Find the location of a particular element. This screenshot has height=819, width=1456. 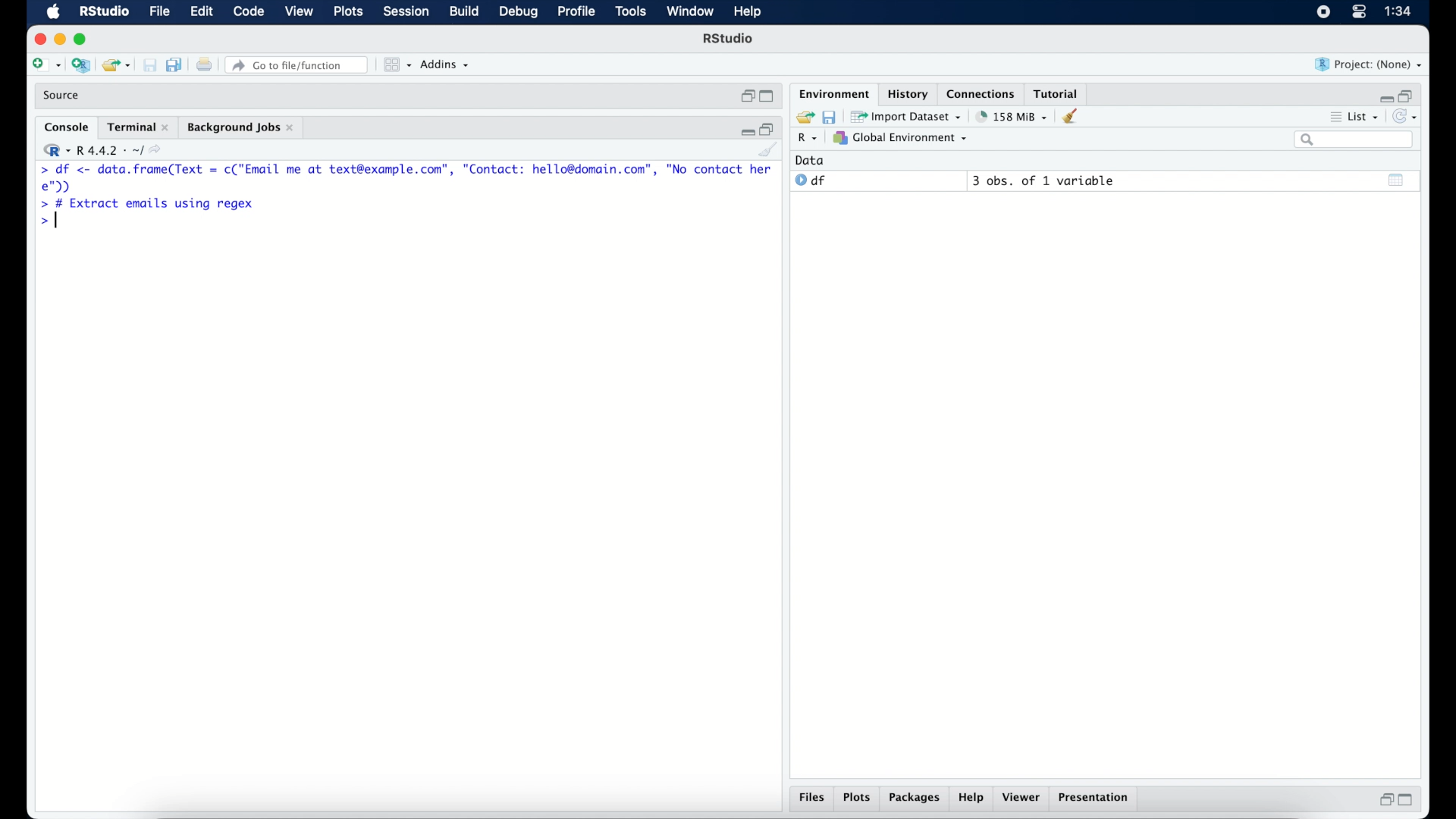

global environment is located at coordinates (905, 139).